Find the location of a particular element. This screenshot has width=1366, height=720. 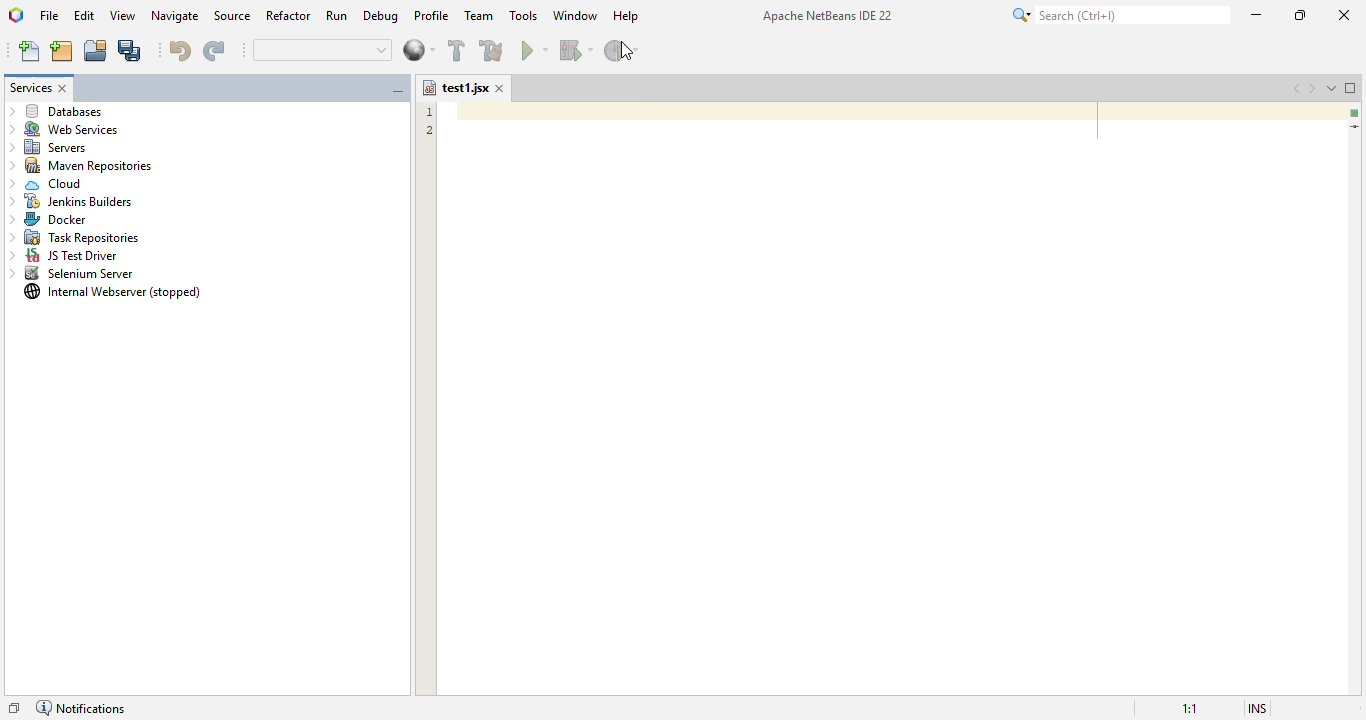

insert mode is located at coordinates (1257, 707).